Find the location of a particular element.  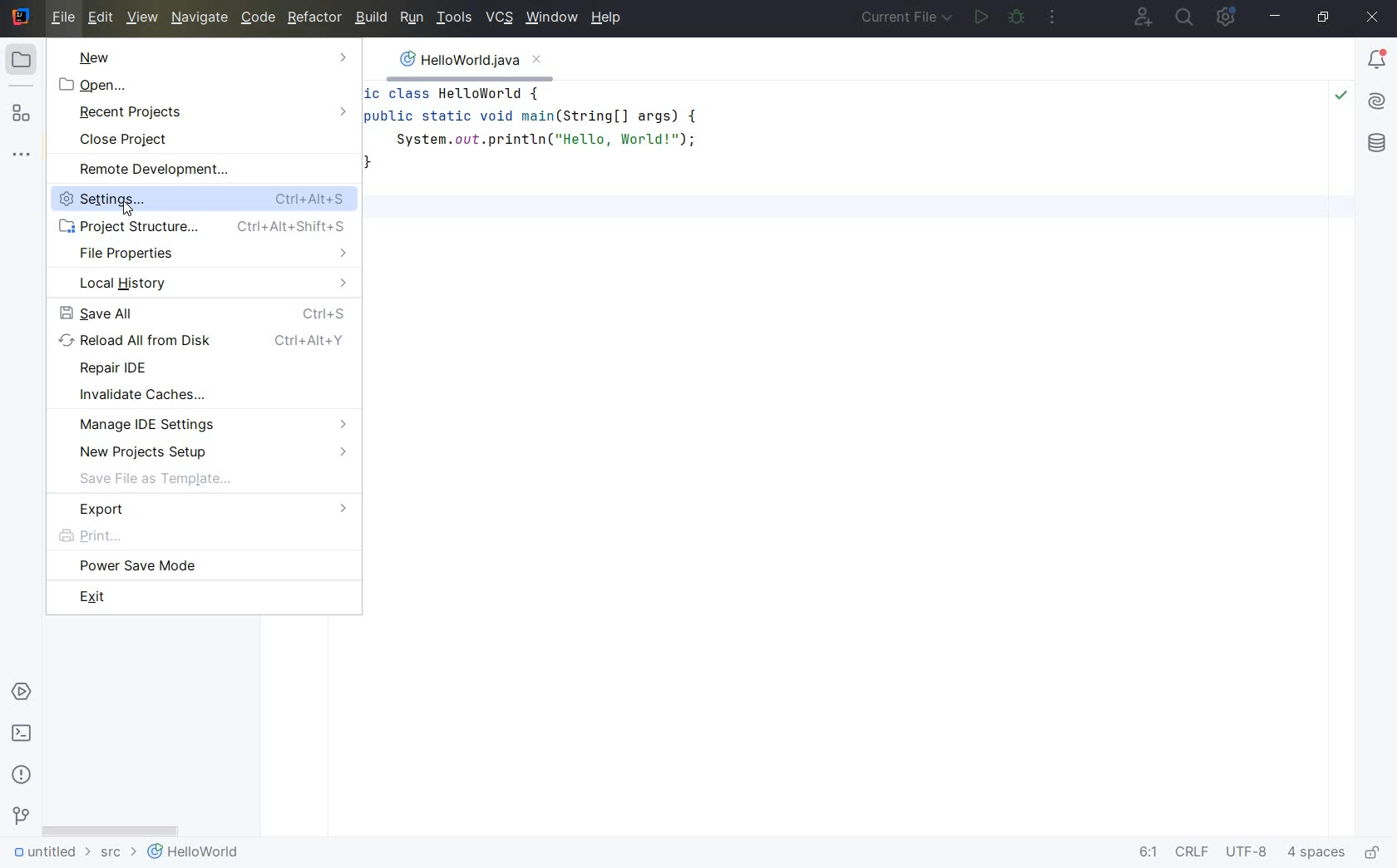

line separator is located at coordinates (1191, 854).